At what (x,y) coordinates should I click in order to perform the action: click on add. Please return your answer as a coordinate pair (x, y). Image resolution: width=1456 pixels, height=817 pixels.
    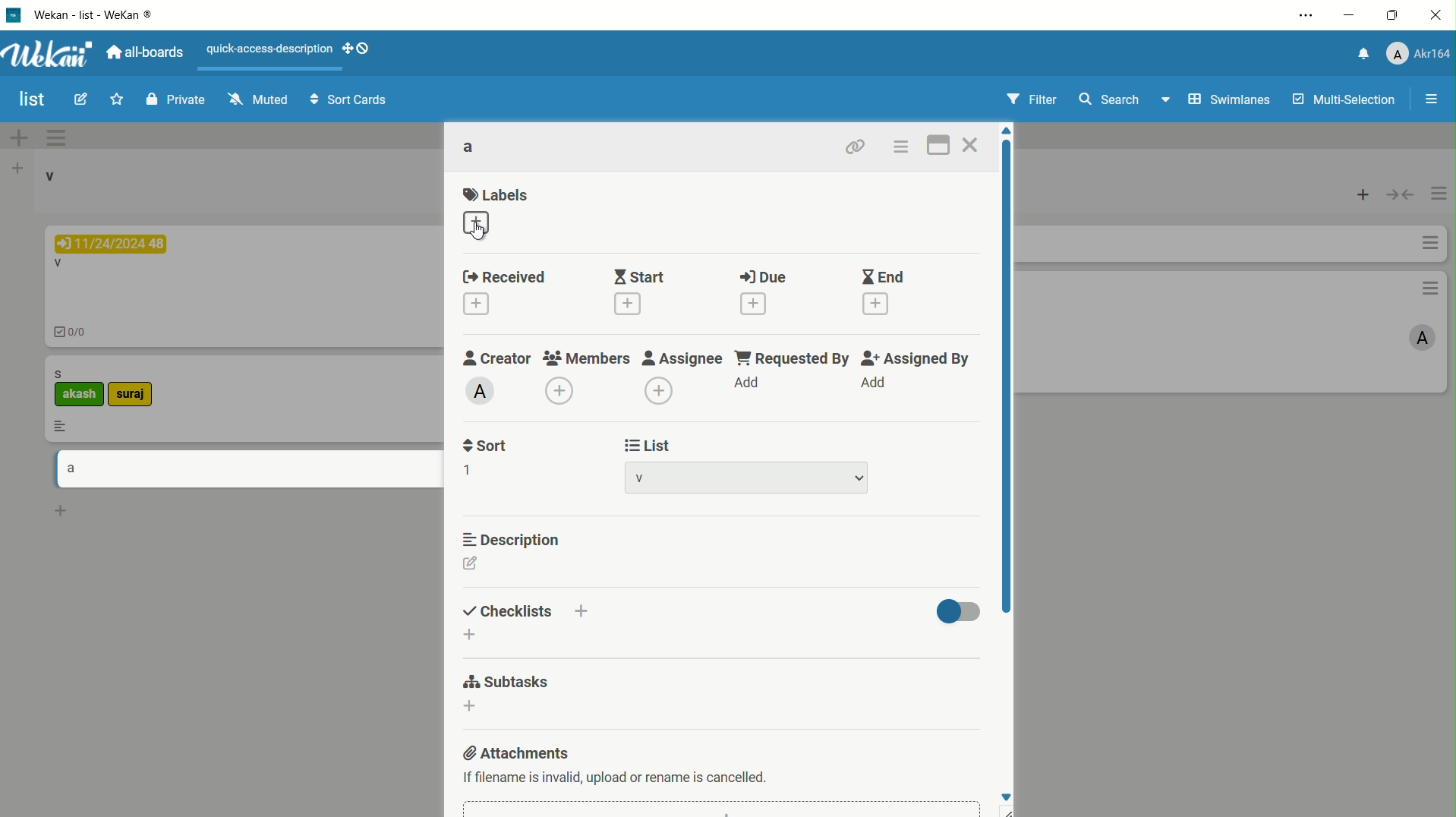
    Looking at the image, I should click on (61, 512).